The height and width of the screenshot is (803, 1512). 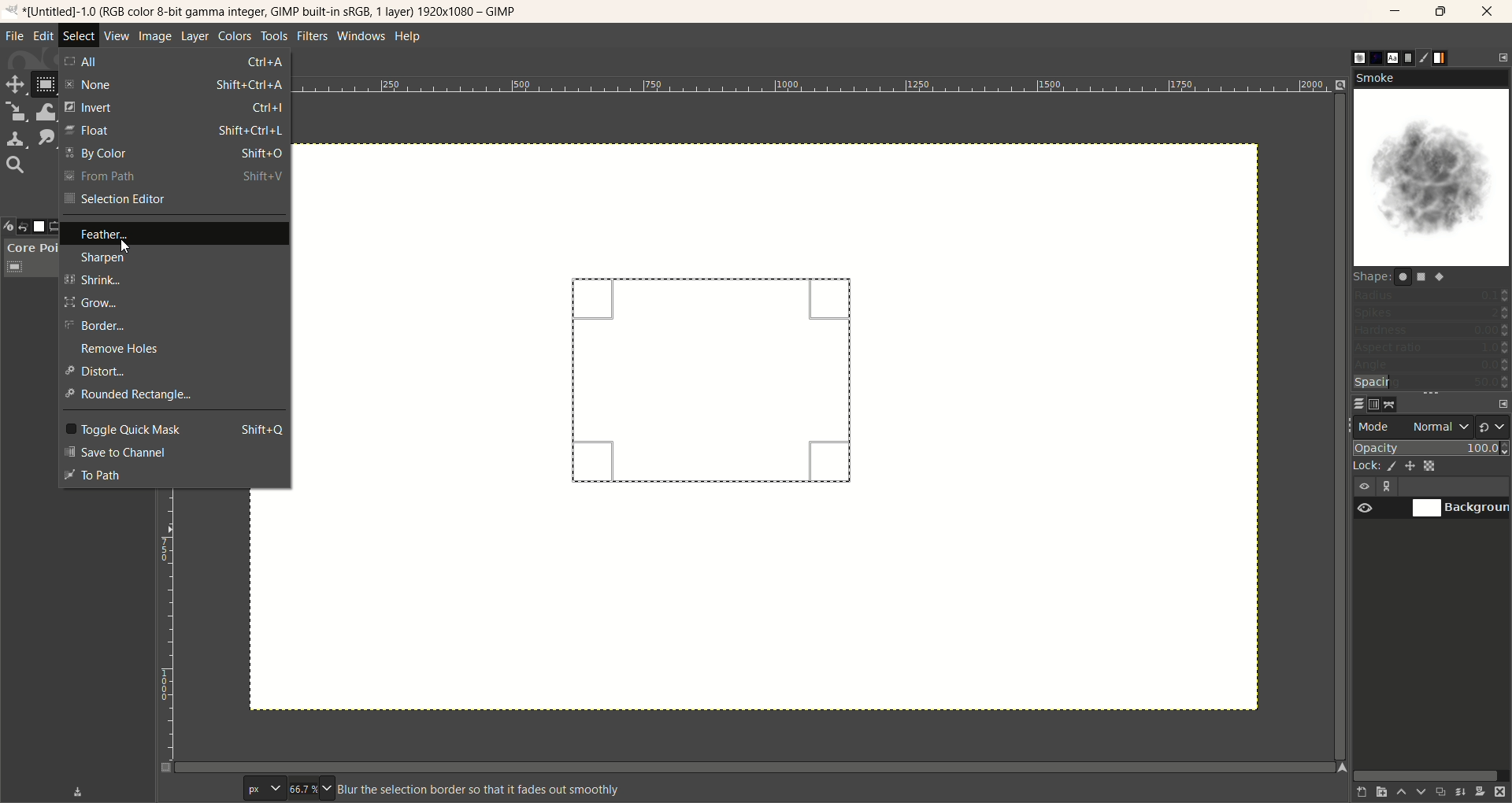 I want to click on wrap transform, so click(x=46, y=111).